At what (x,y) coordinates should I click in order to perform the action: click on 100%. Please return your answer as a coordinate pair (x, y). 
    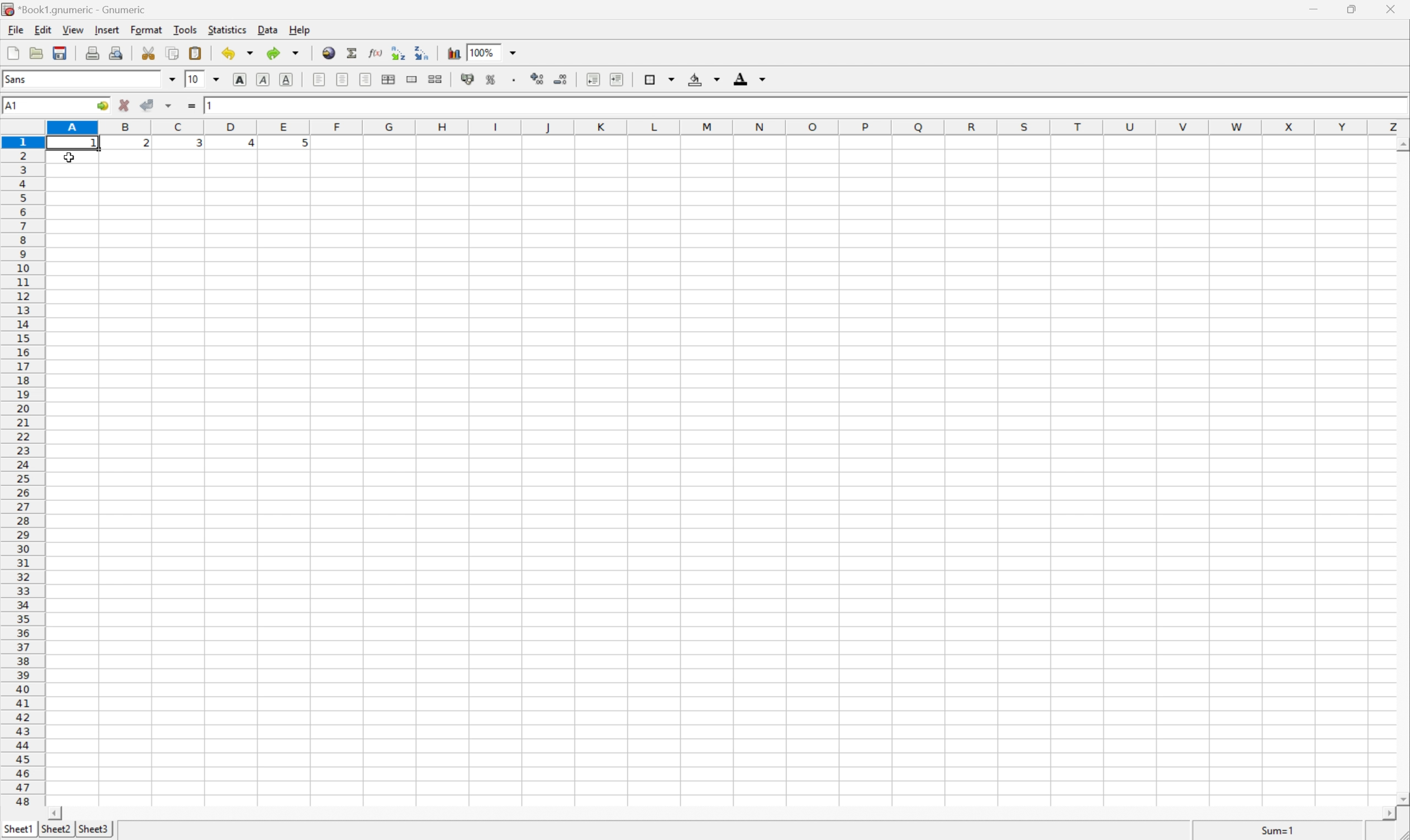
    Looking at the image, I should click on (484, 52).